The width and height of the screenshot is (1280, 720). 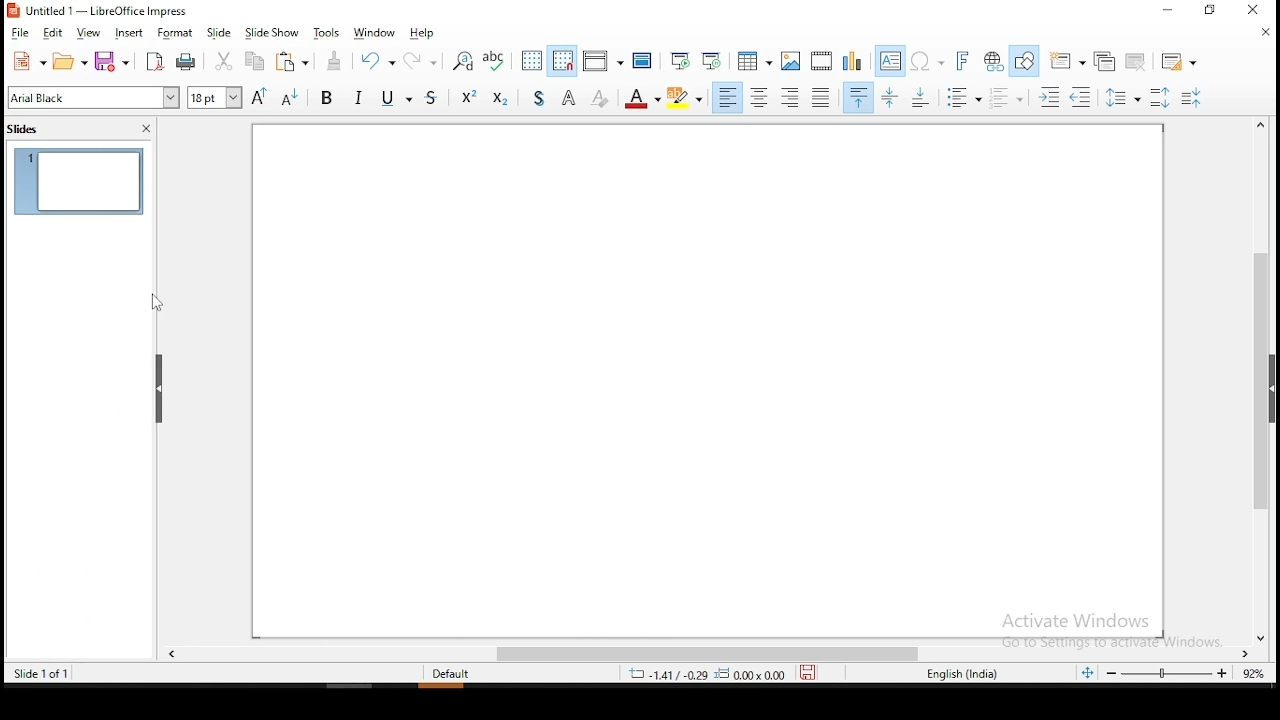 What do you see at coordinates (71, 60) in the screenshot?
I see `open` at bounding box center [71, 60].